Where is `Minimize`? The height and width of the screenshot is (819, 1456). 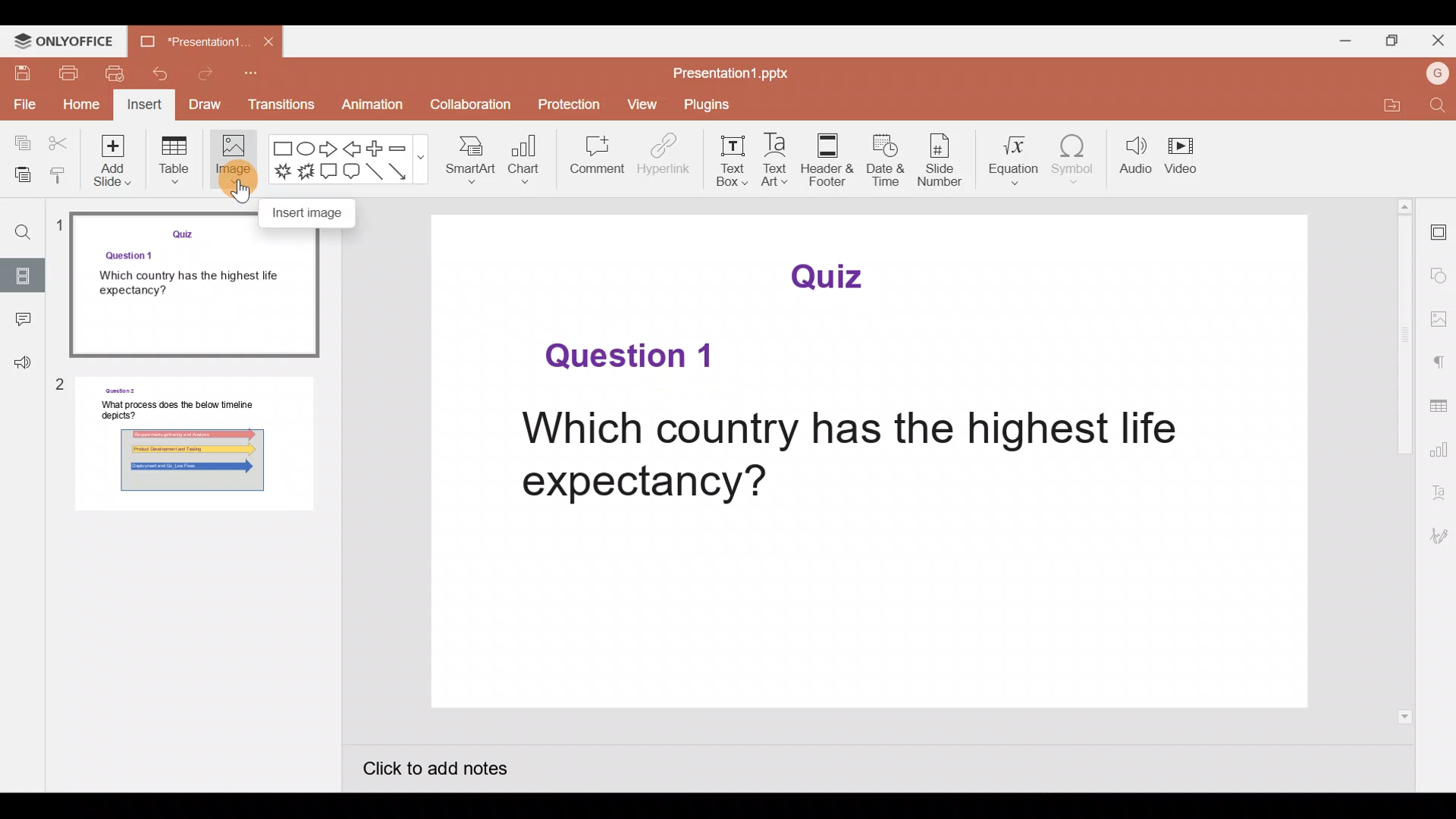 Minimize is located at coordinates (1342, 39).